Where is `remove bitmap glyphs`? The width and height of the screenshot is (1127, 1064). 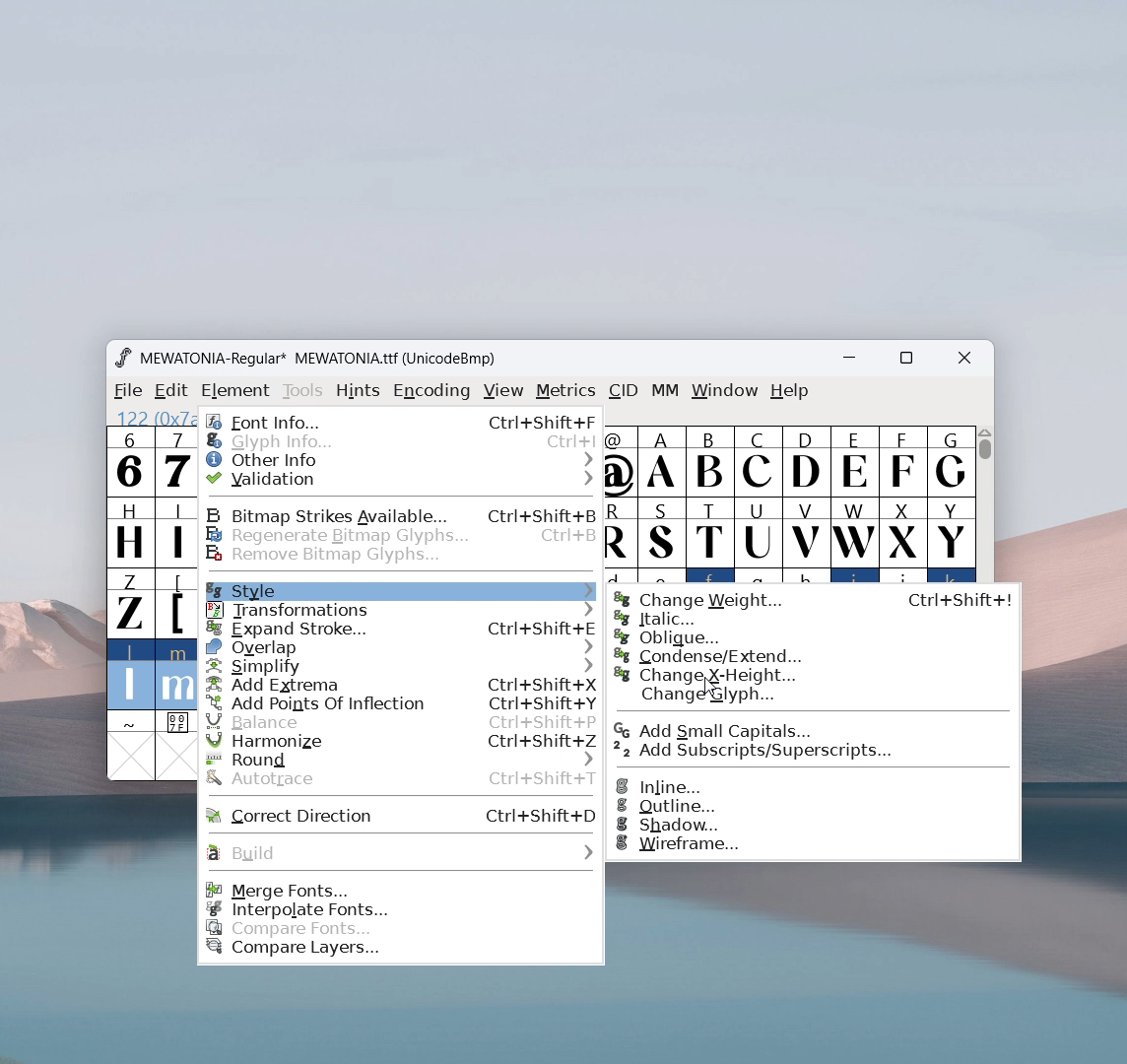 remove bitmap glyphs is located at coordinates (401, 555).